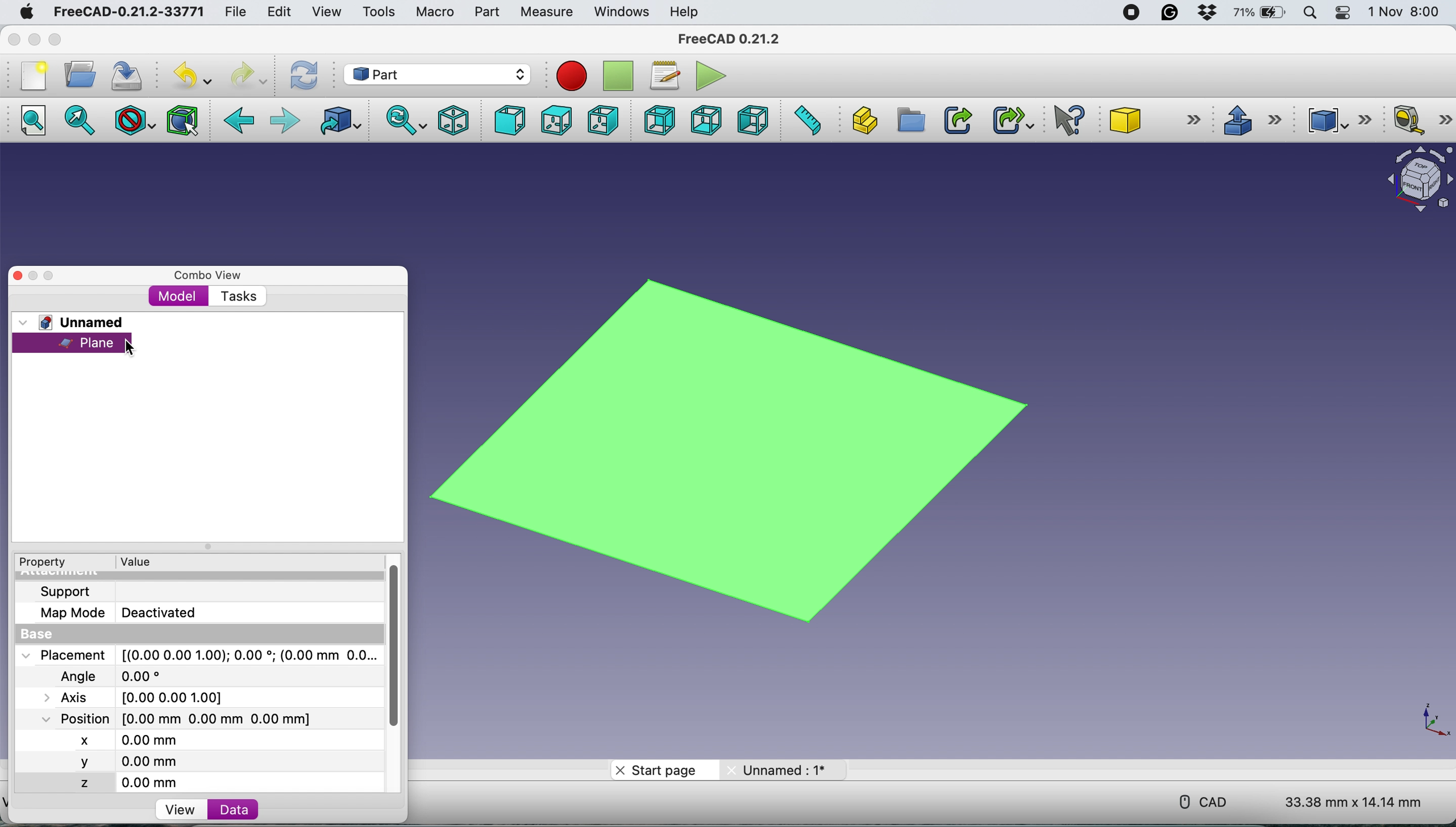  What do you see at coordinates (242, 297) in the screenshot?
I see `tasks` at bounding box center [242, 297].